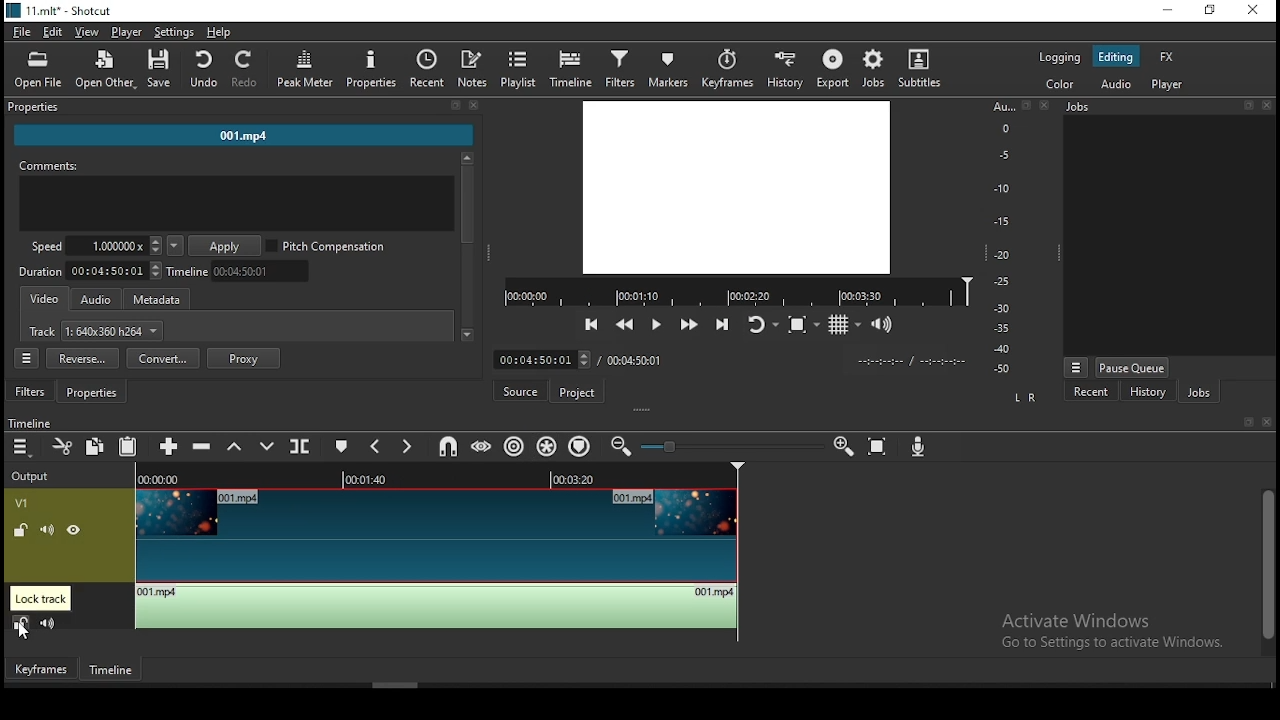 This screenshot has width=1280, height=720. I want to click on filters, so click(622, 68).